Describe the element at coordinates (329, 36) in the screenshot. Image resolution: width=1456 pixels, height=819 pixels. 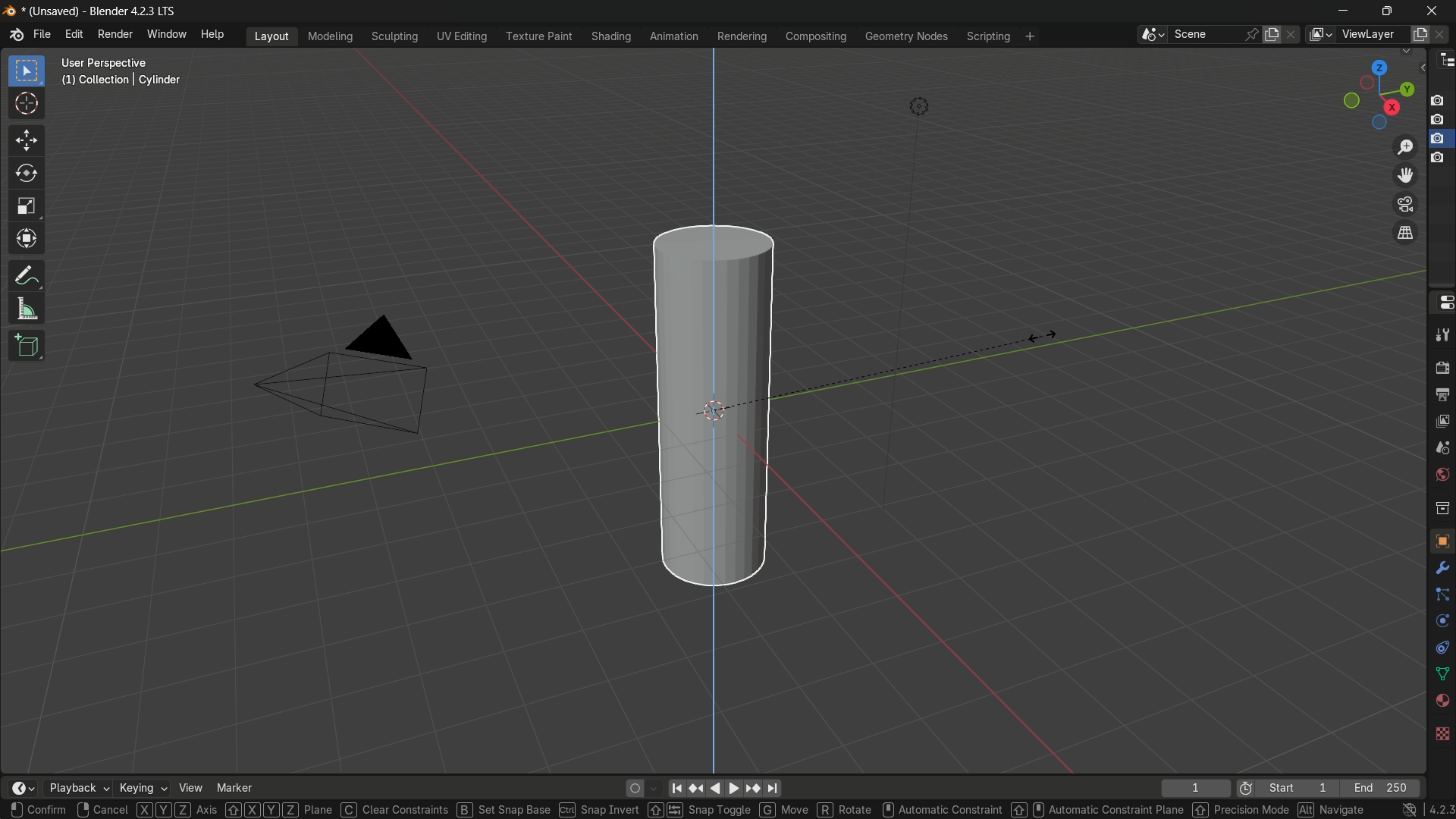
I see `modeling` at that location.